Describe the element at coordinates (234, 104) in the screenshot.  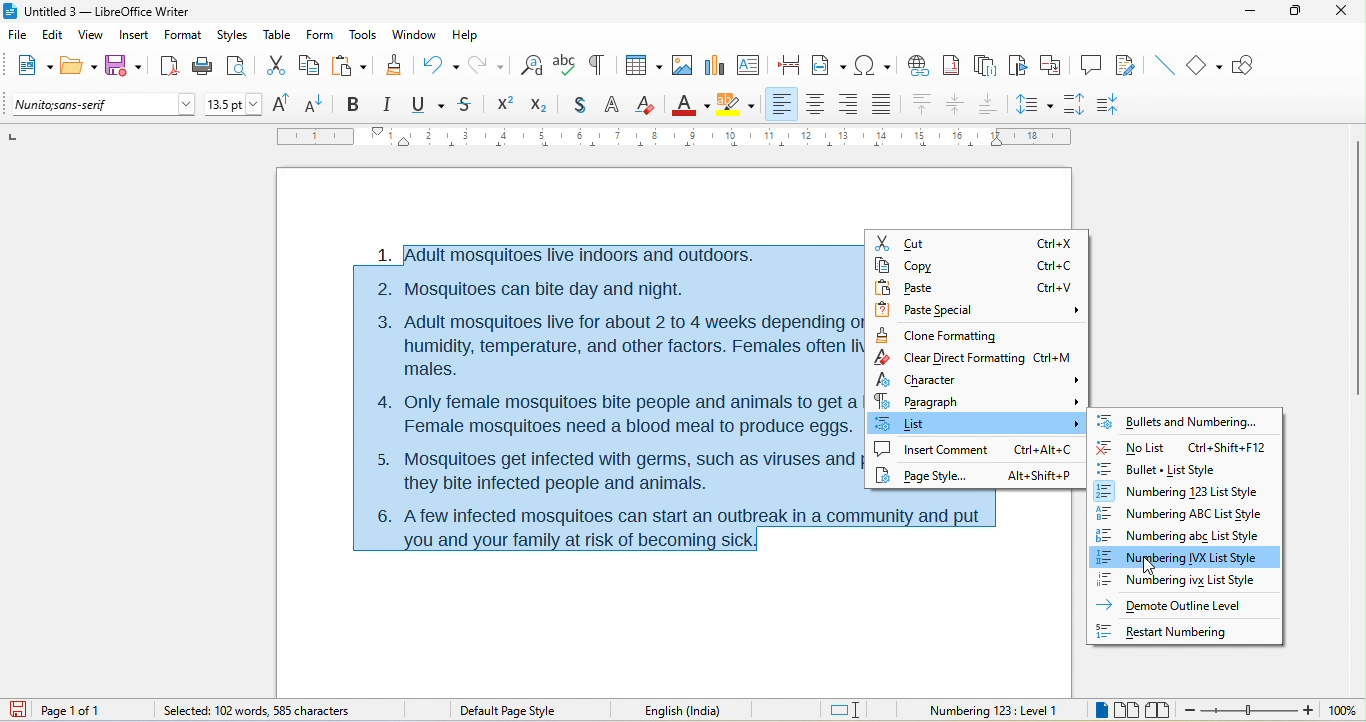
I see `font size` at that location.